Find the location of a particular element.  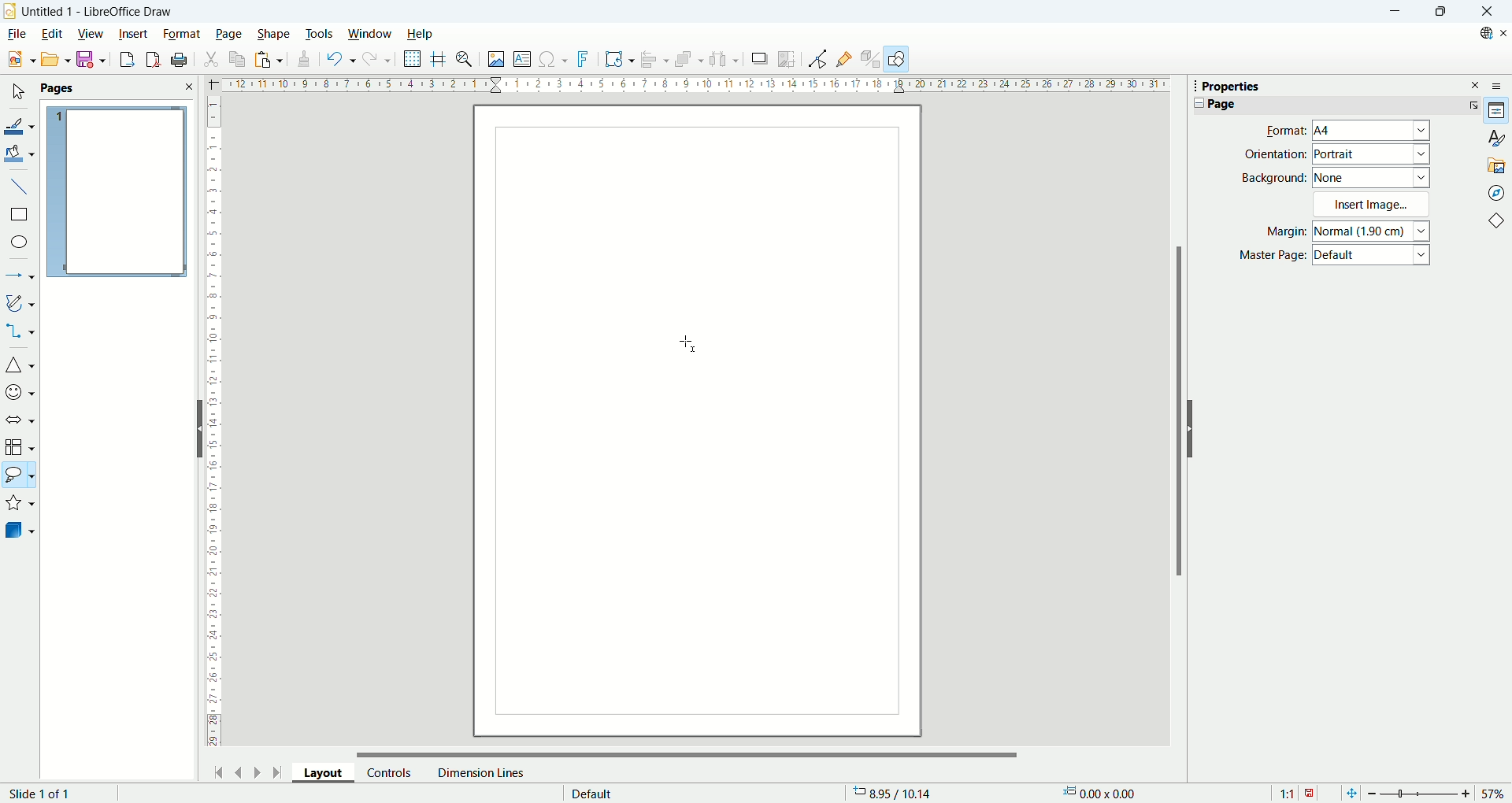

coordinates is located at coordinates (900, 794).